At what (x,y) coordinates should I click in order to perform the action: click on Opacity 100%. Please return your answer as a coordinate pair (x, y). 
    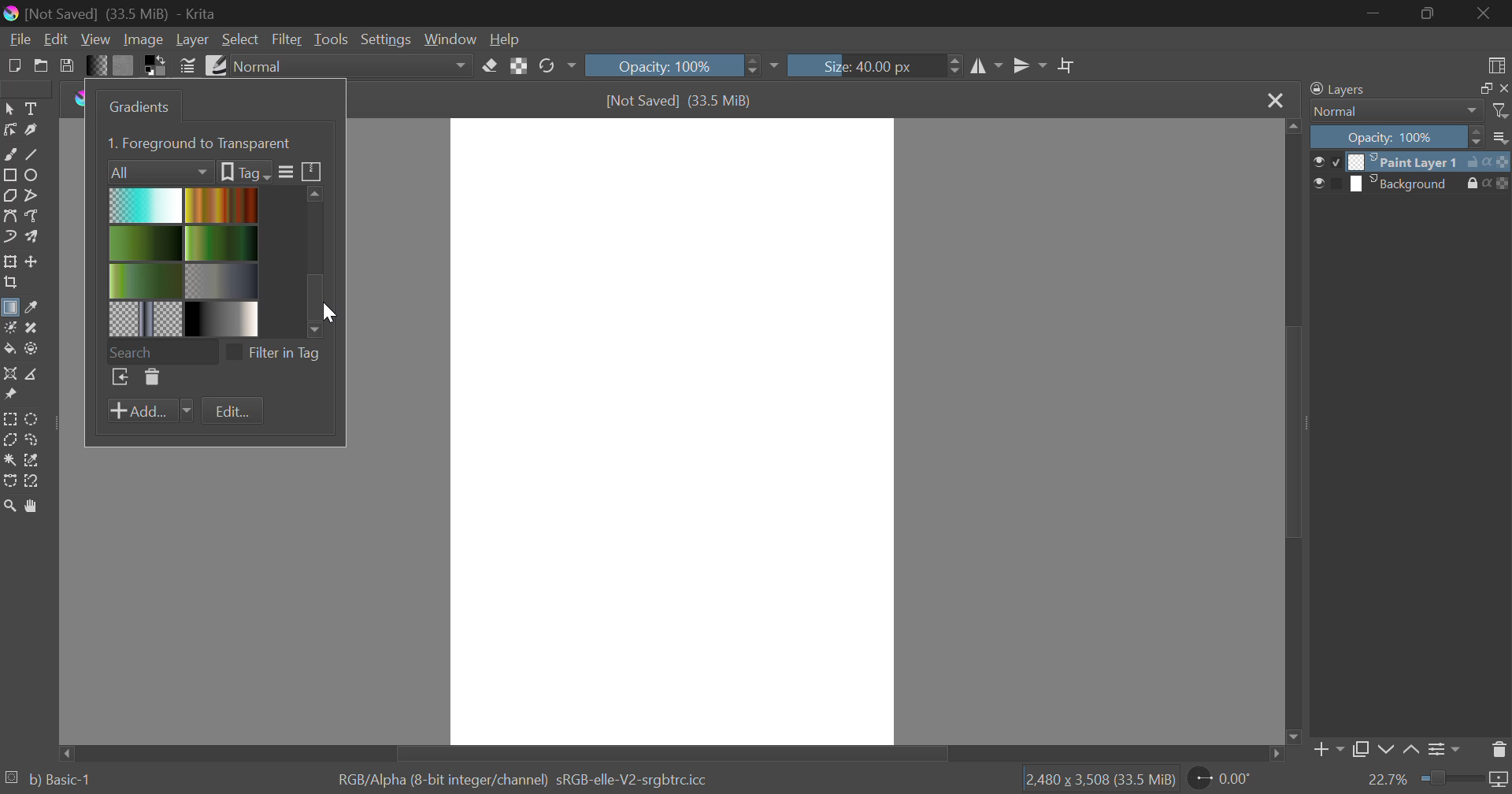
    Looking at the image, I should click on (1395, 137).